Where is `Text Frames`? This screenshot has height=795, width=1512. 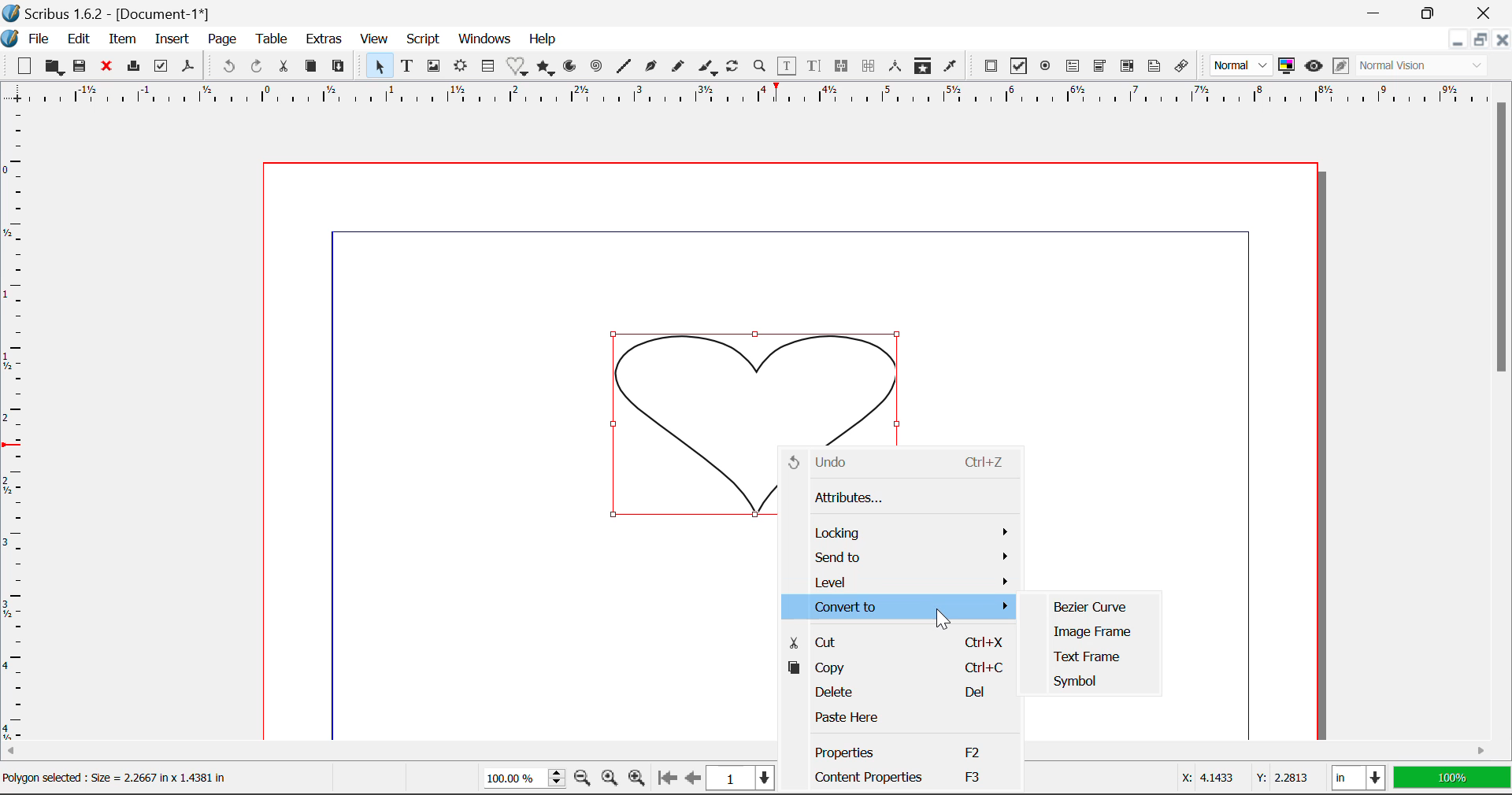 Text Frames is located at coordinates (408, 67).